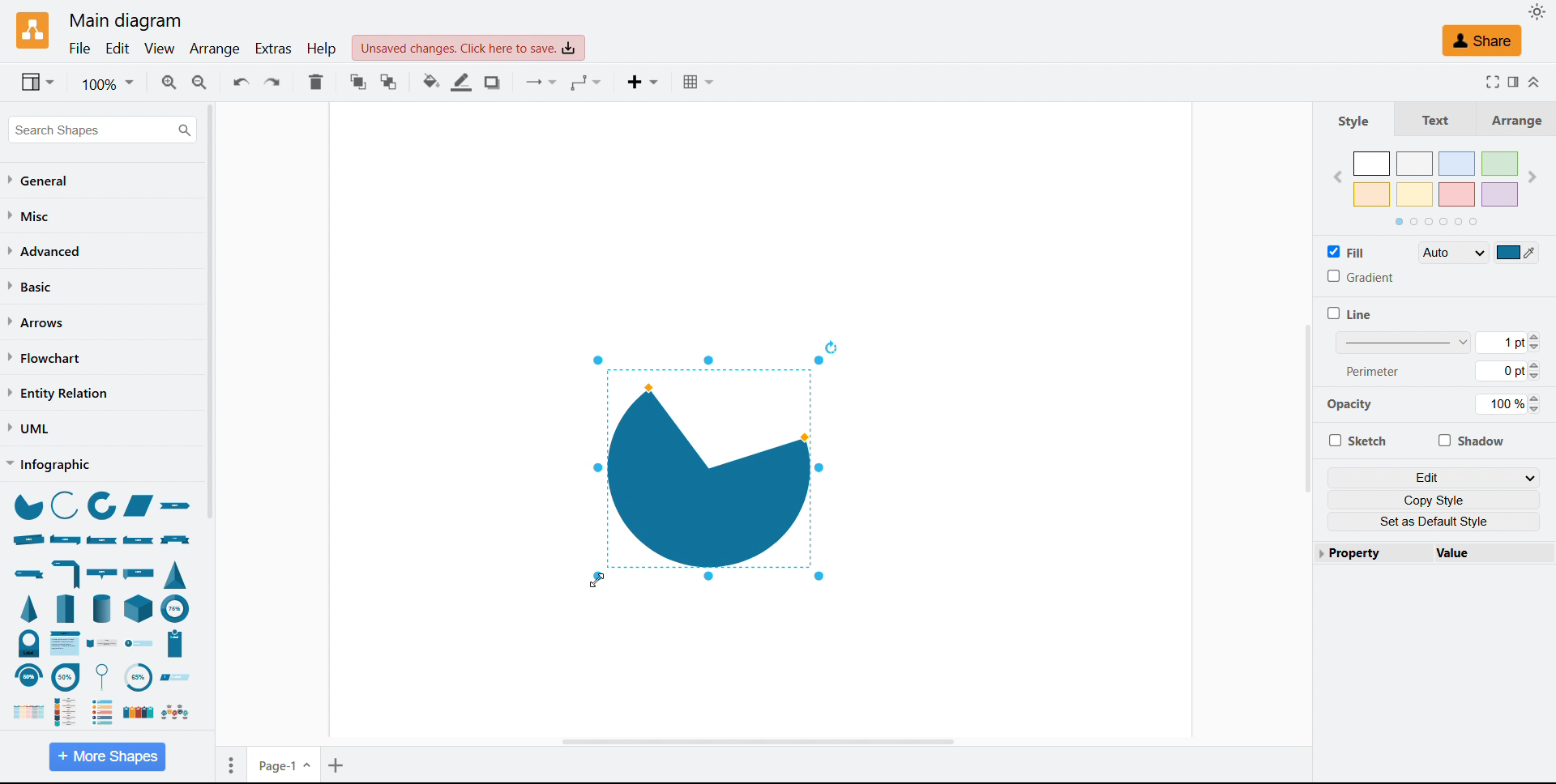 The height and width of the screenshot is (784, 1556). Describe the element at coordinates (103, 507) in the screenshot. I see `partial concentric ellipse` at that location.